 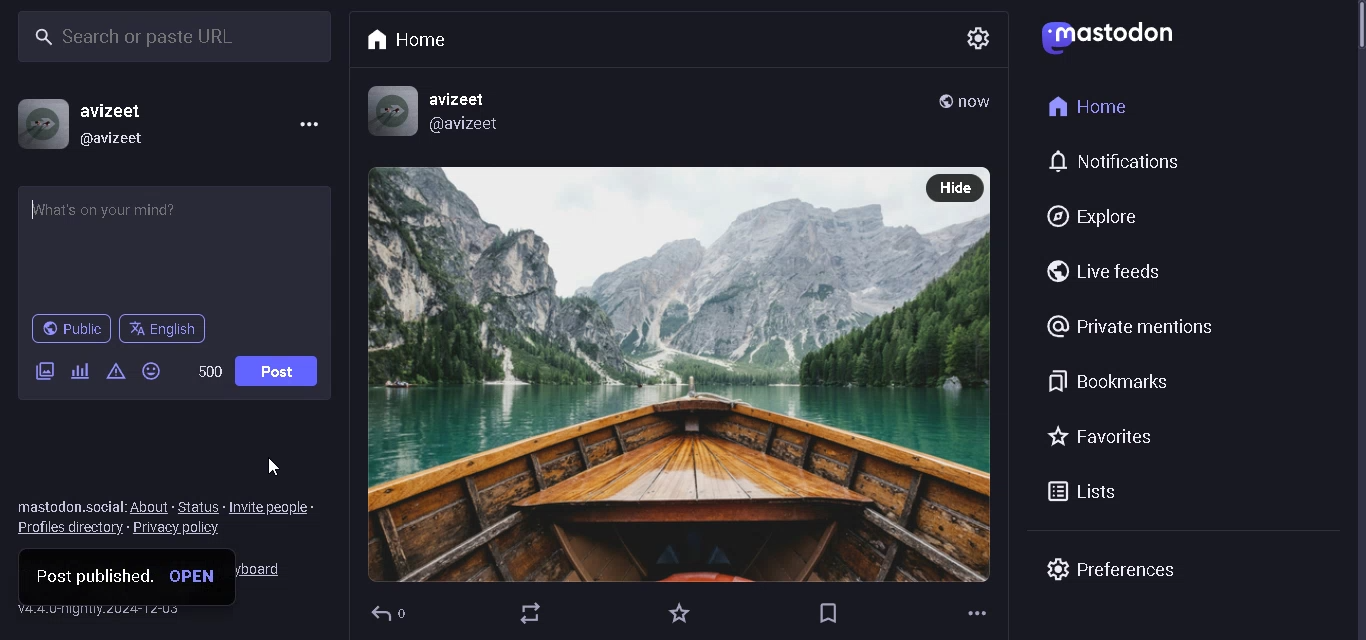 I want to click on post, so click(x=279, y=369).